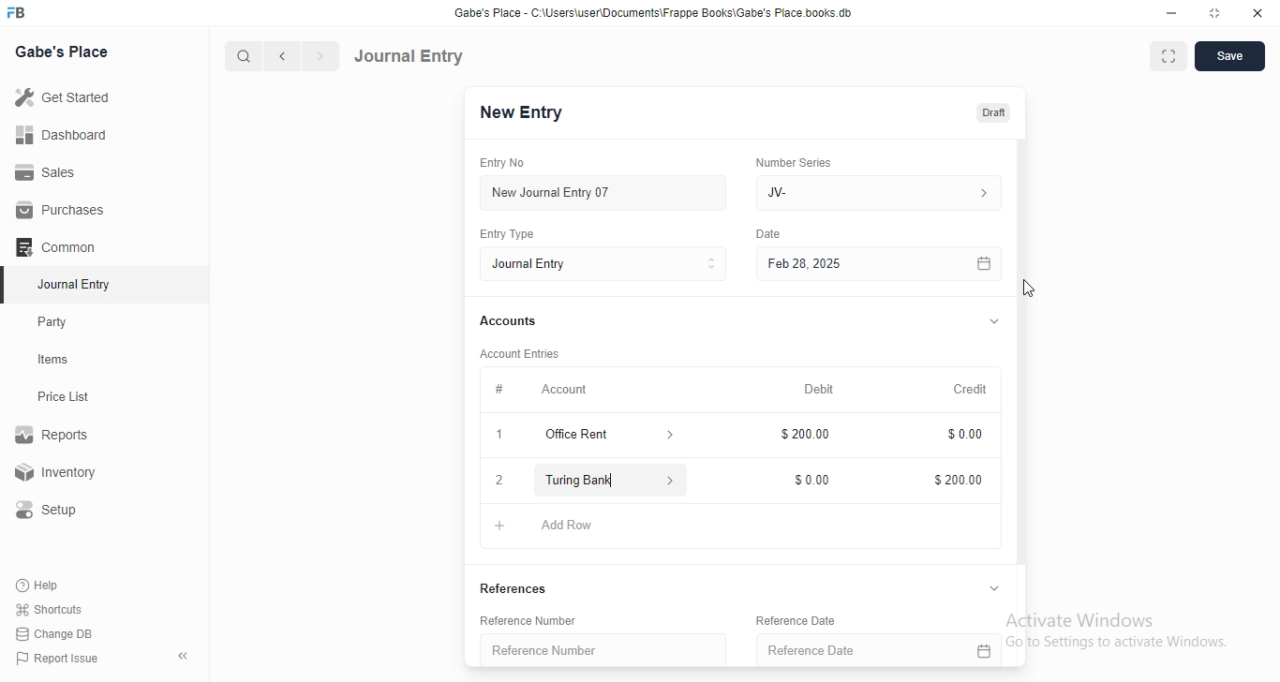  What do you see at coordinates (509, 234) in the screenshot?
I see `Entry Type` at bounding box center [509, 234].